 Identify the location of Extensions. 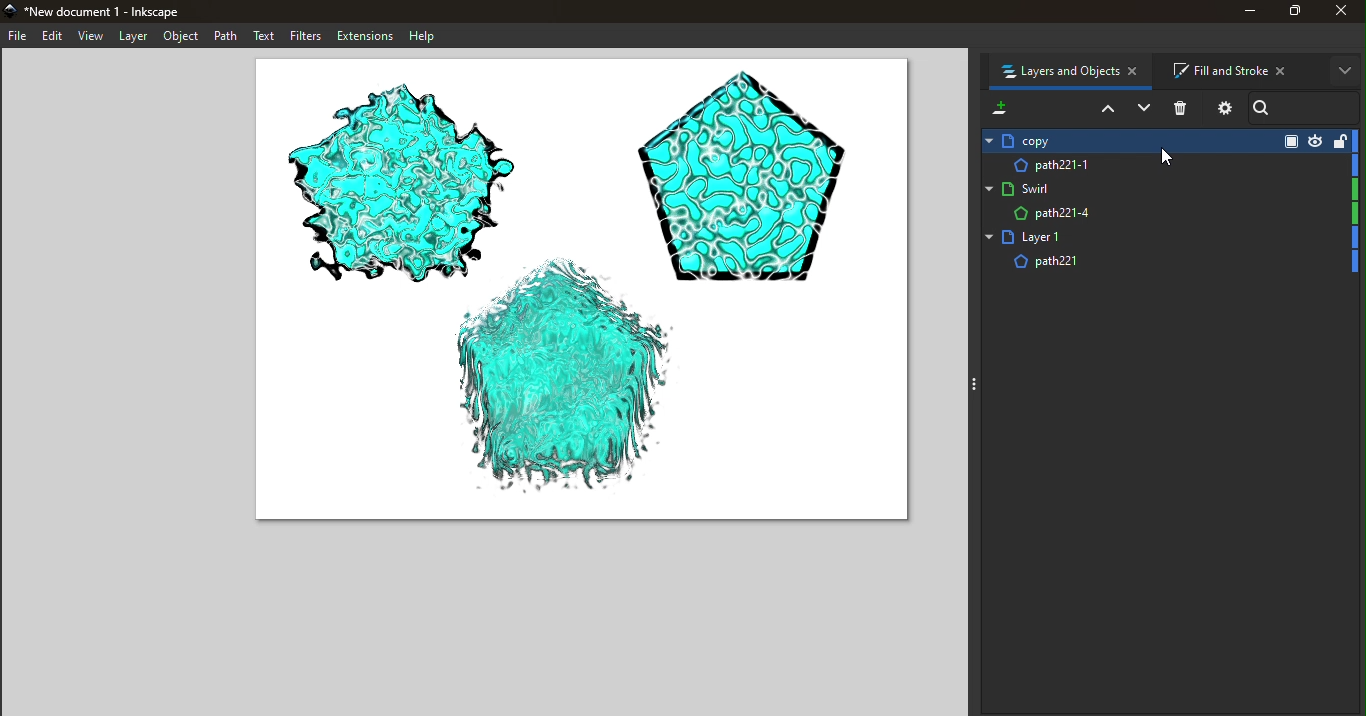
(363, 36).